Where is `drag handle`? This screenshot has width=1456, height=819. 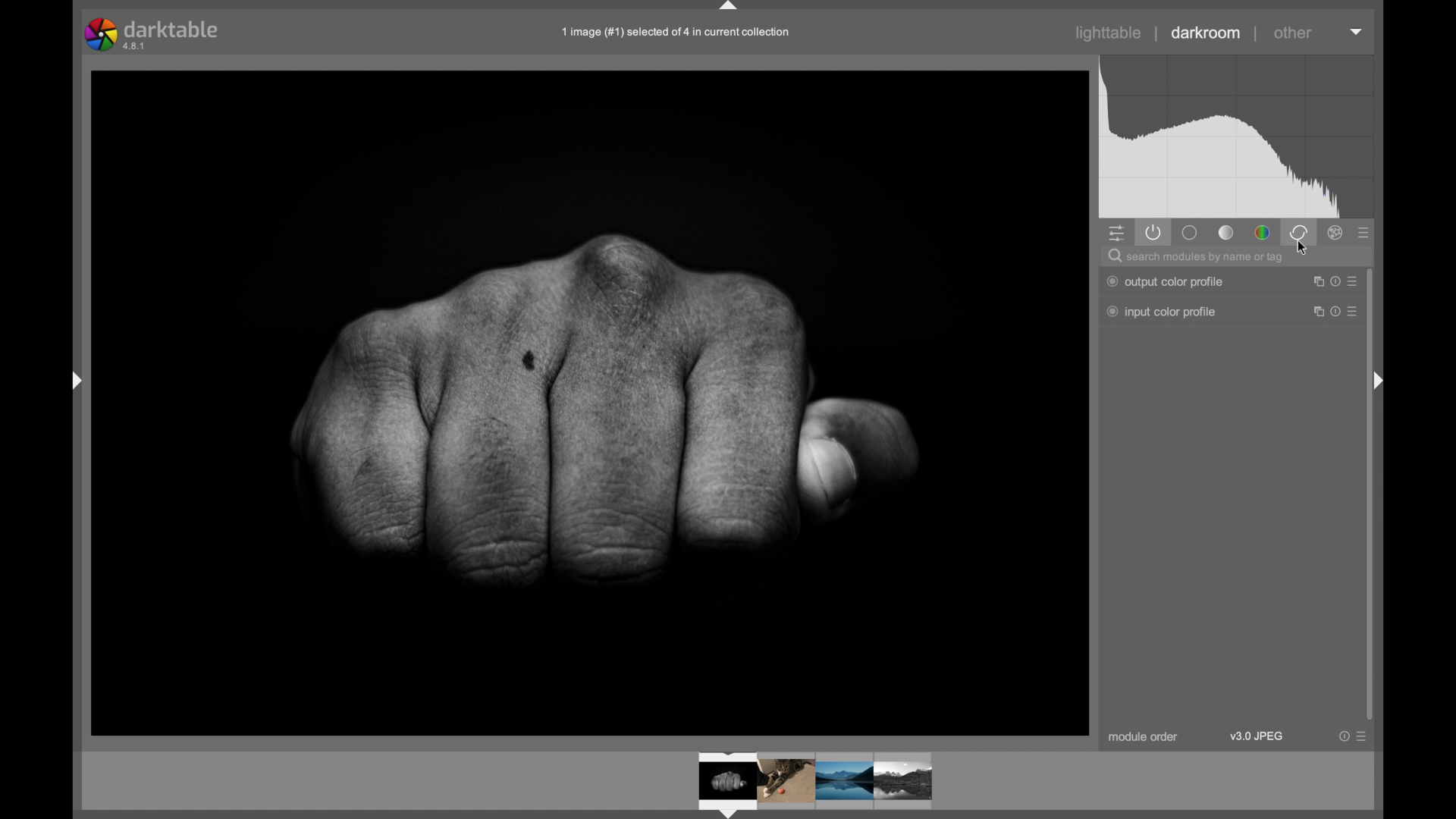
drag handle is located at coordinates (76, 381).